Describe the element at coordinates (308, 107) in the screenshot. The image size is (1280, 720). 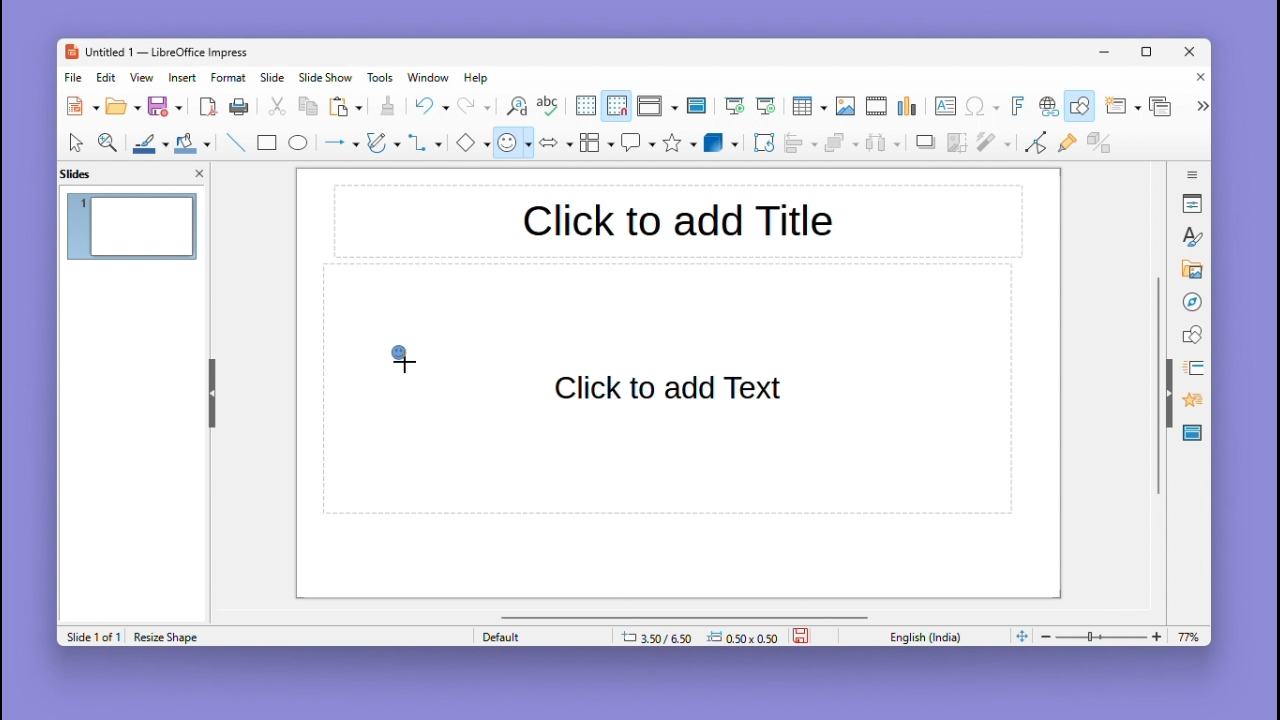
I see `copy` at that location.